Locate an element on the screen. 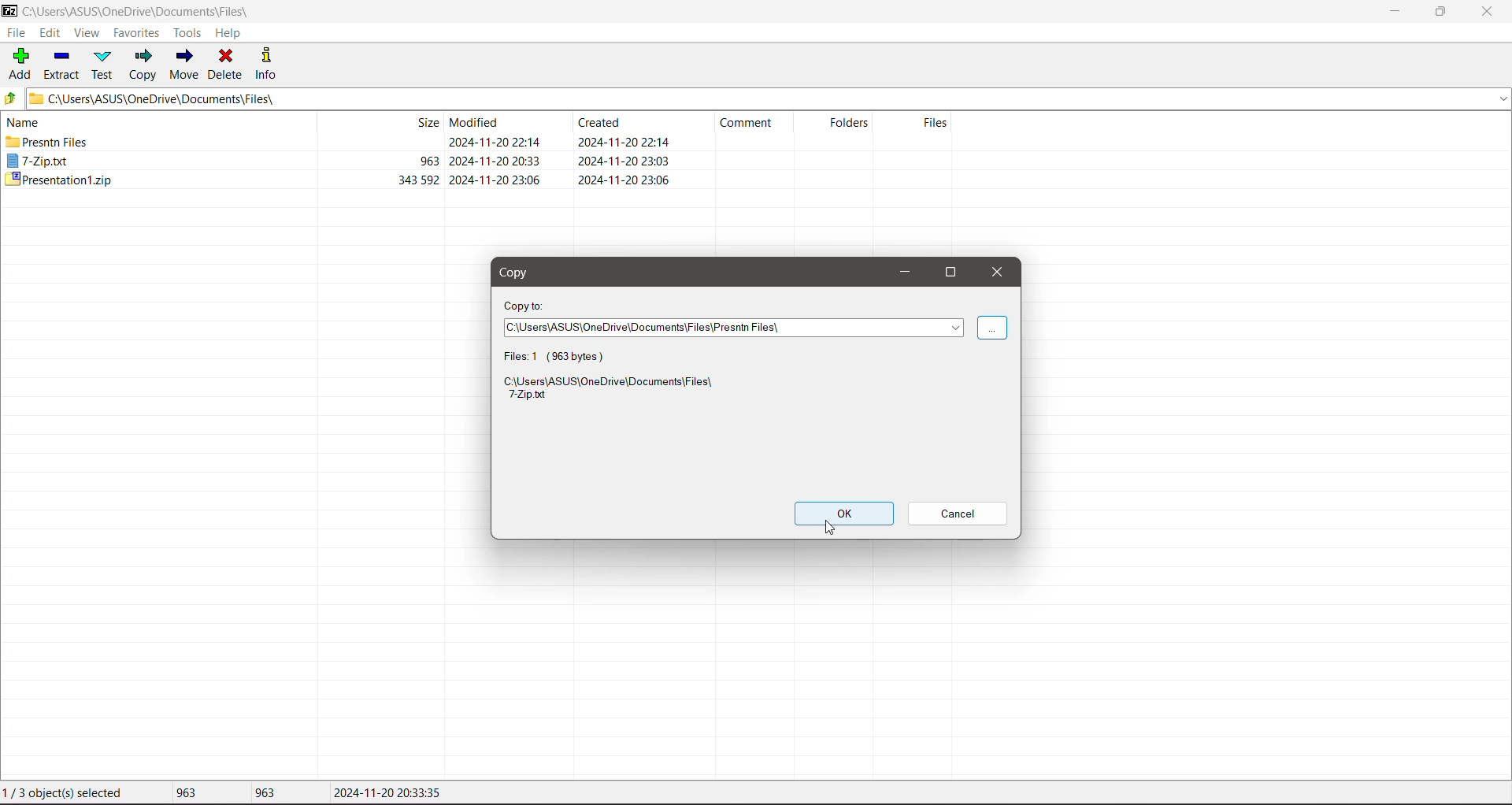 Image resolution: width=1512 pixels, height=805 pixels. File Modified Date is located at coordinates (498, 151).